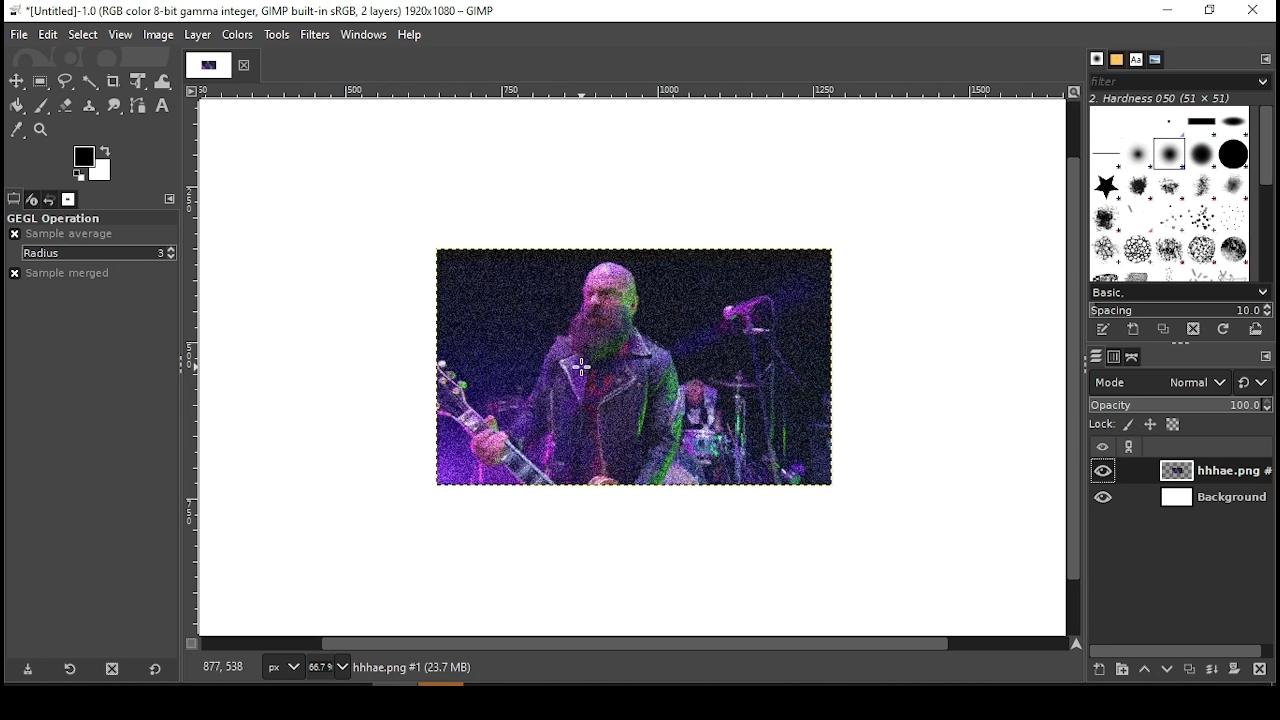 Image resolution: width=1280 pixels, height=720 pixels. I want to click on sample merged, so click(65, 273).